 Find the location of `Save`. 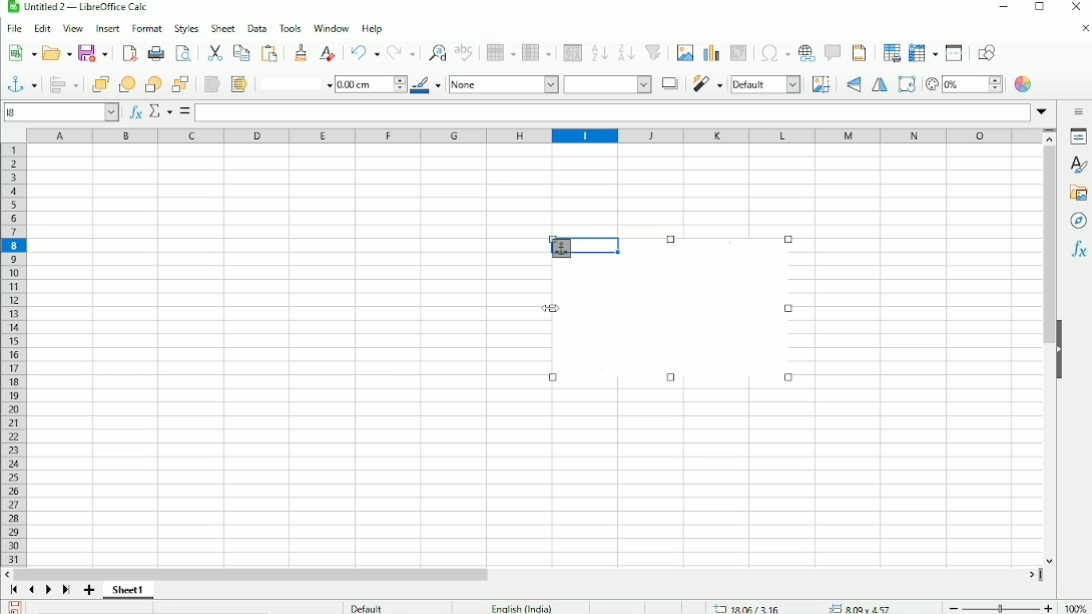

Save is located at coordinates (93, 54).